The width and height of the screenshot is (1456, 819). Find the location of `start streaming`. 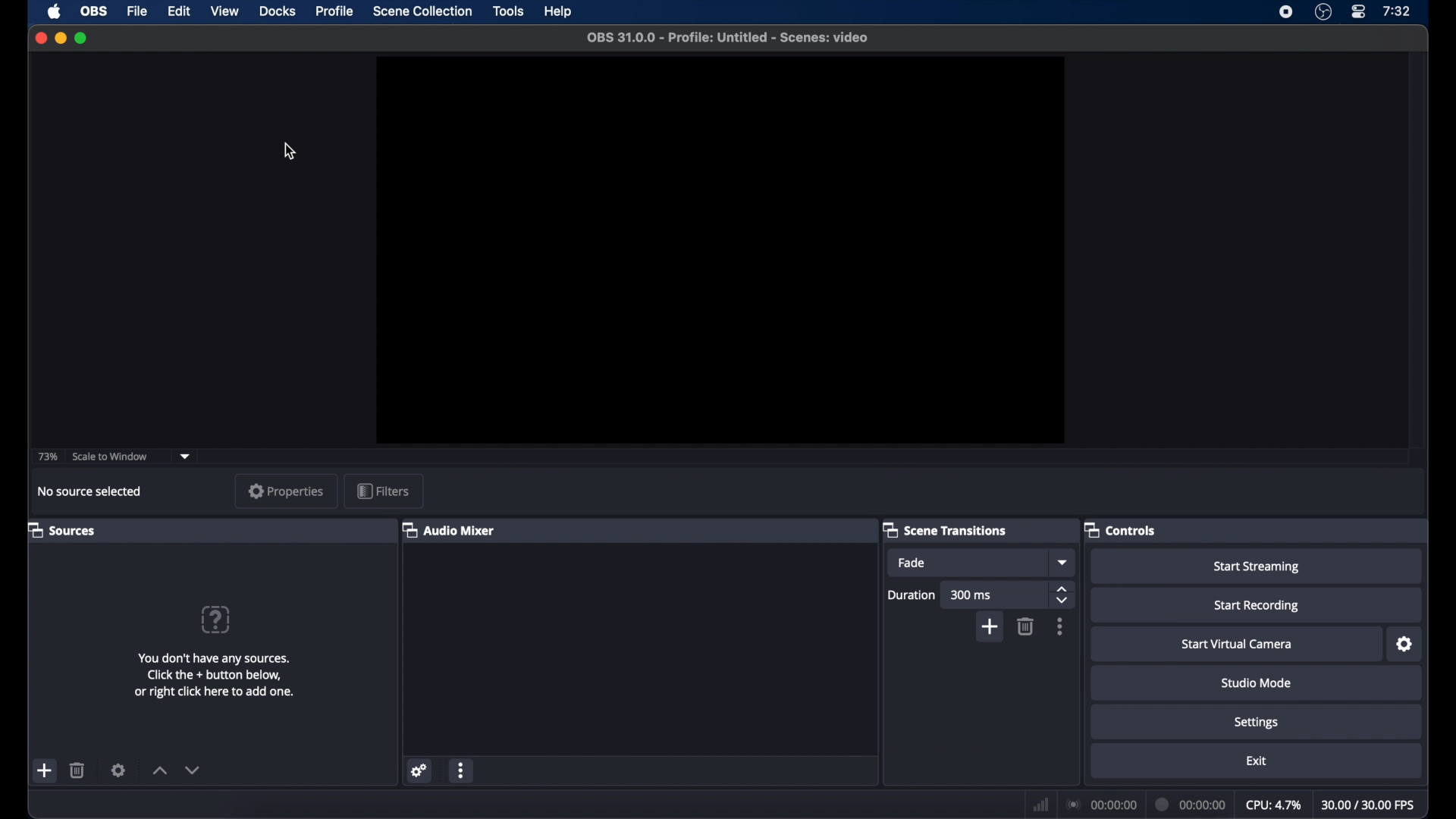

start streaming is located at coordinates (1255, 566).